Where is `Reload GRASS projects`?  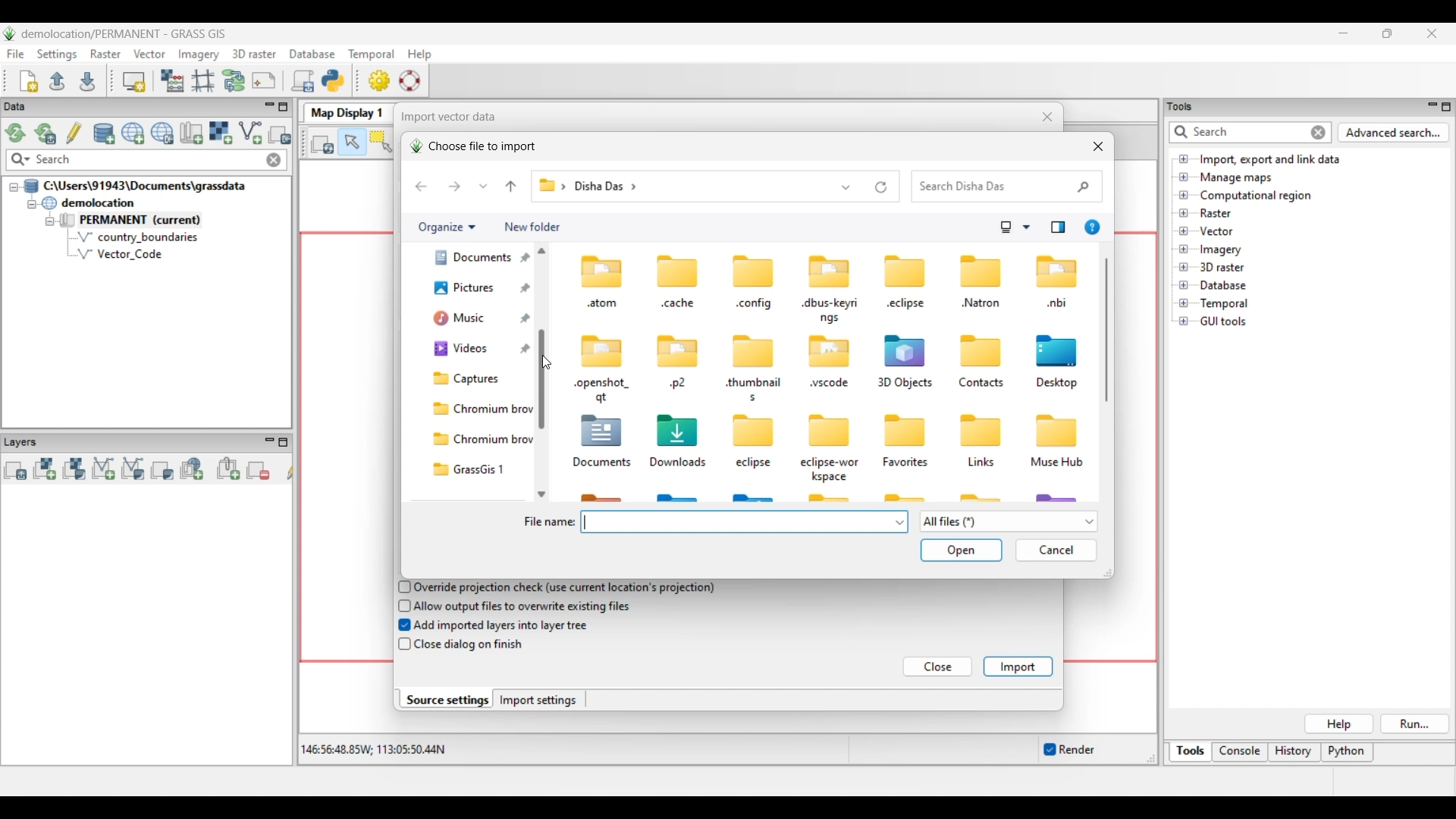
Reload GRASS projects is located at coordinates (16, 133).